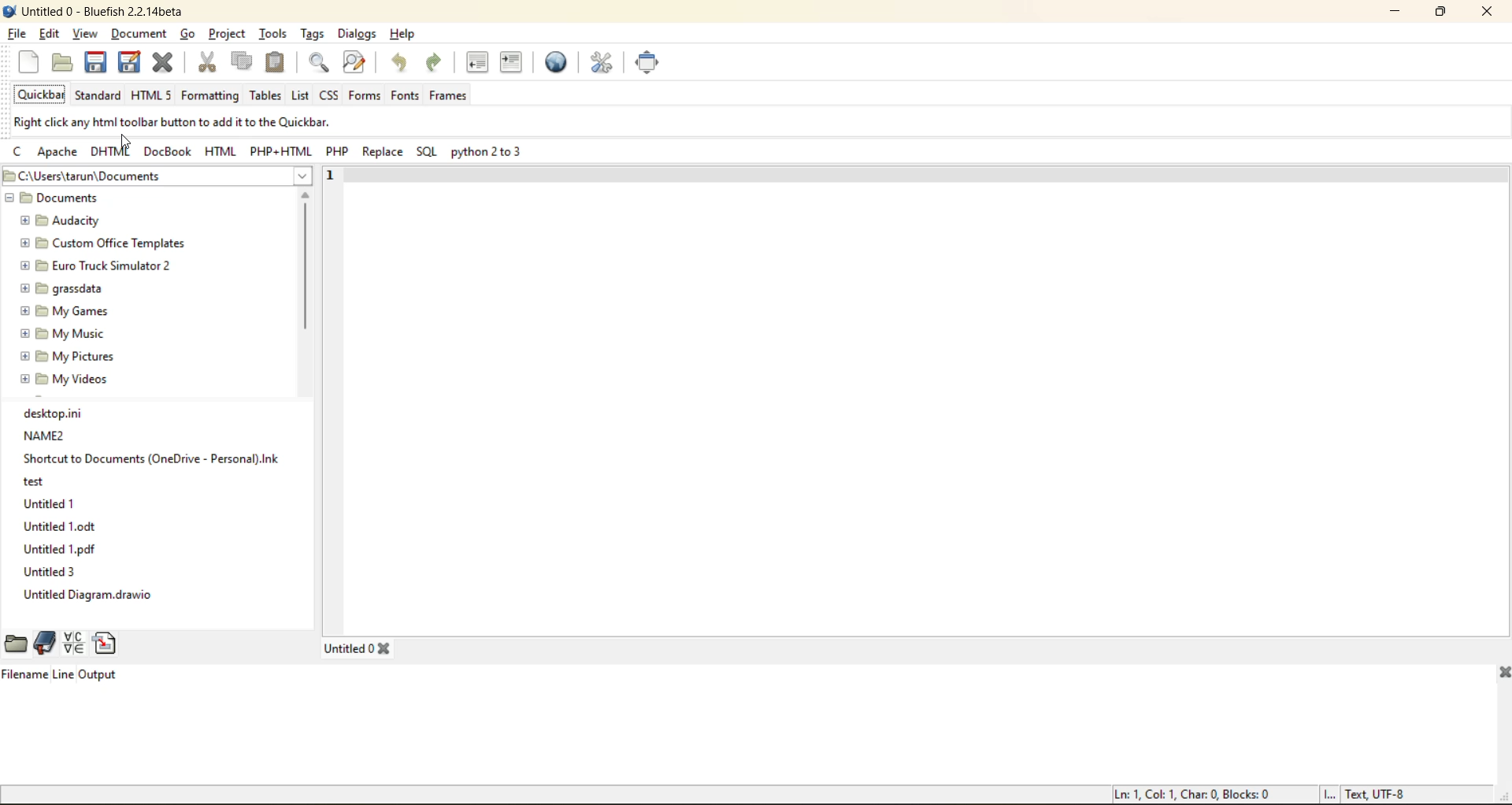 The width and height of the screenshot is (1512, 805). I want to click on maximize, so click(1445, 12).